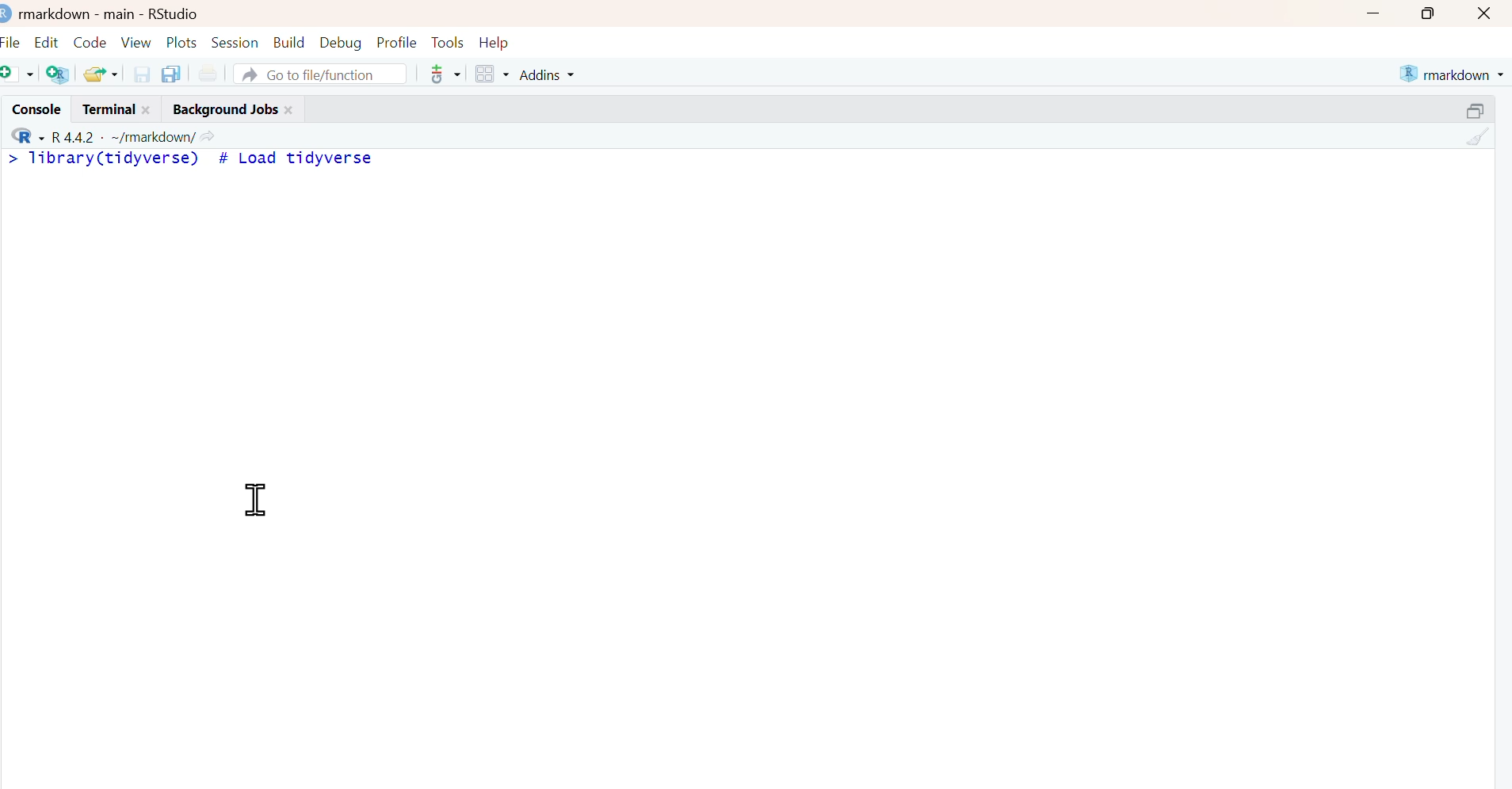 This screenshot has height=789, width=1512. I want to click on Debug, so click(341, 40).